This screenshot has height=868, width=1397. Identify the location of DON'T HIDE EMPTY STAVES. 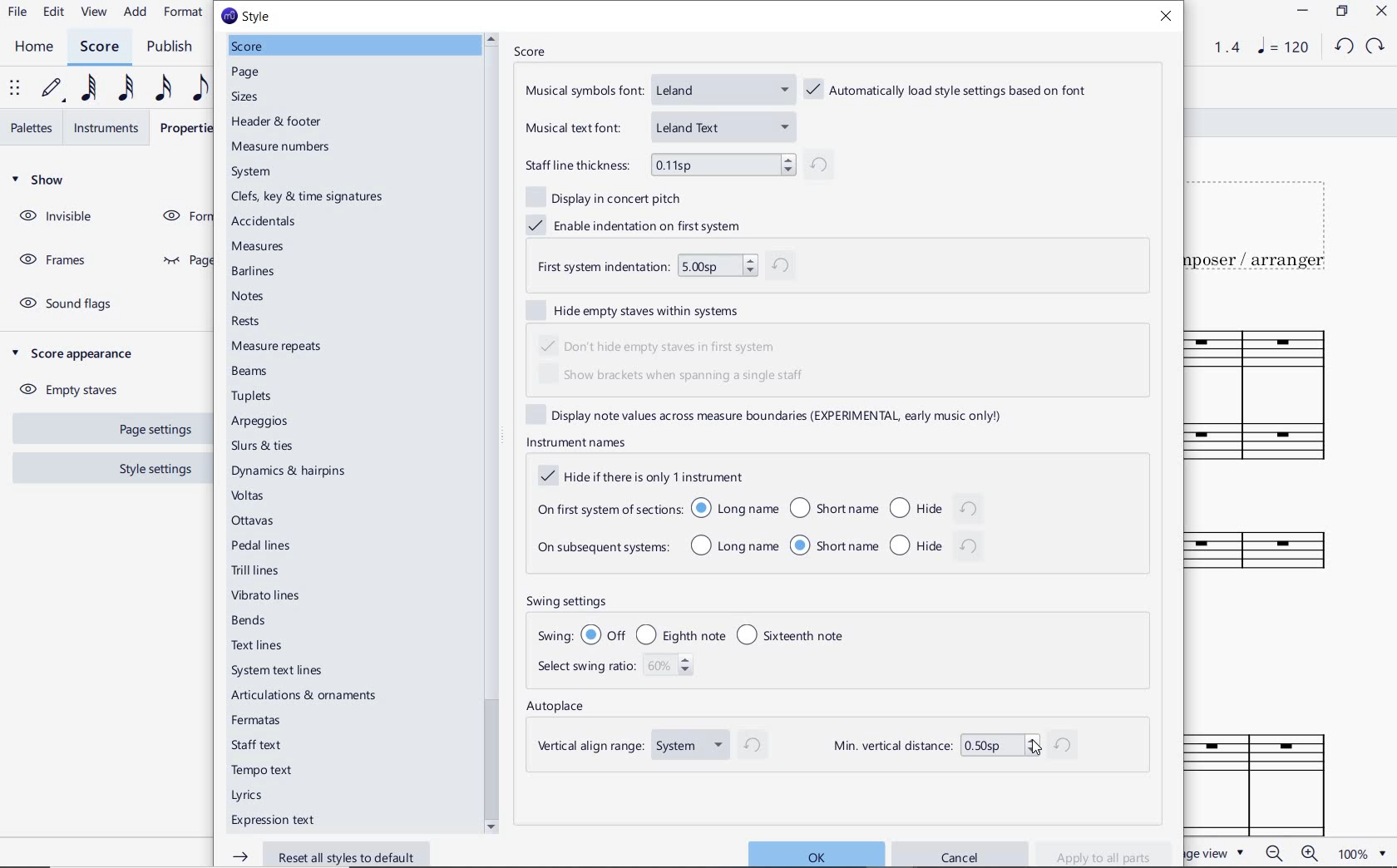
(662, 344).